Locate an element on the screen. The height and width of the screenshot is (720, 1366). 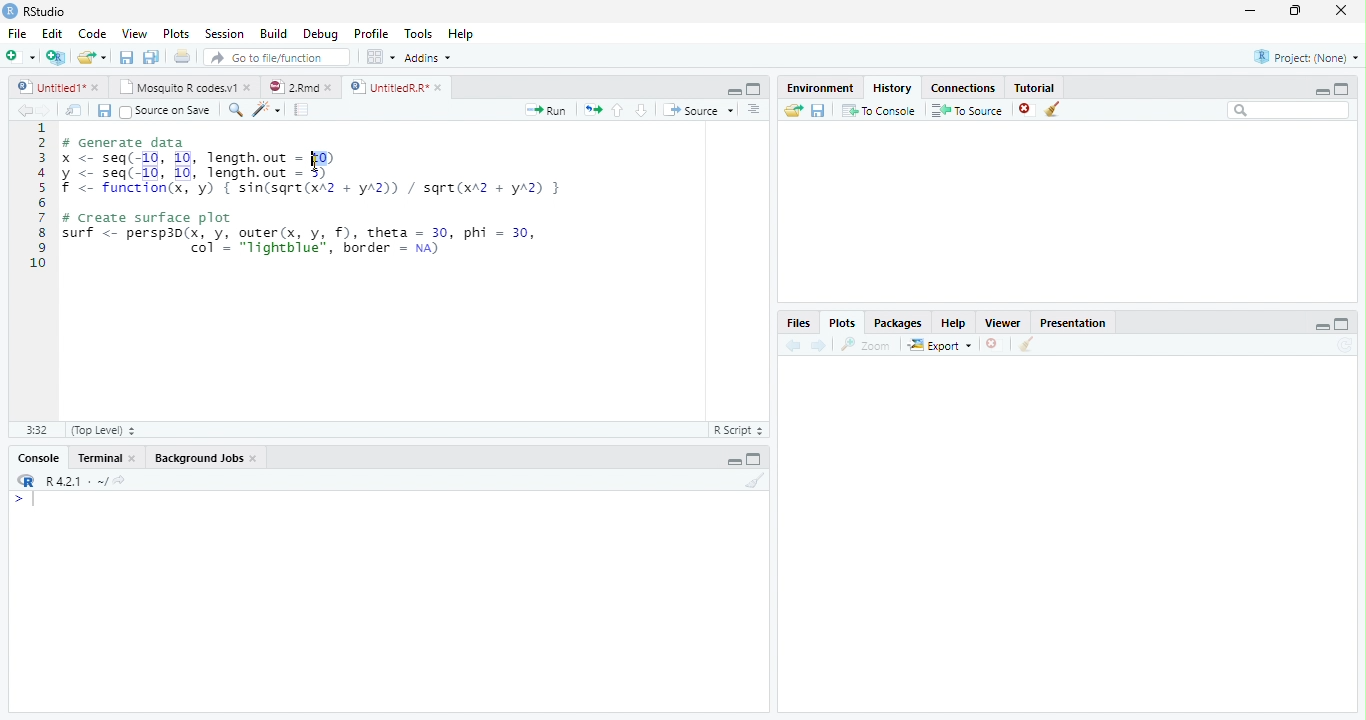
R Script is located at coordinates (741, 430).